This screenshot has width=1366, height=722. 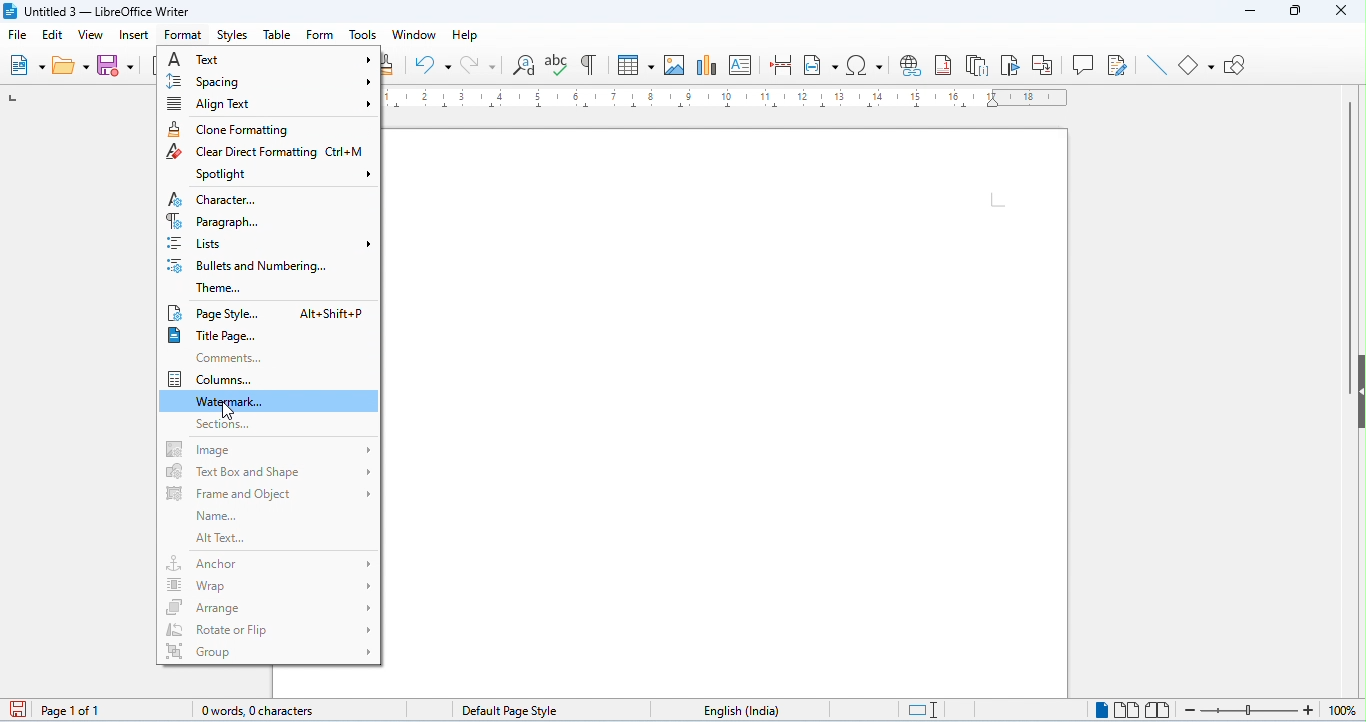 What do you see at coordinates (108, 12) in the screenshot?
I see `Untitled 3 - LibreOffice Writer` at bounding box center [108, 12].